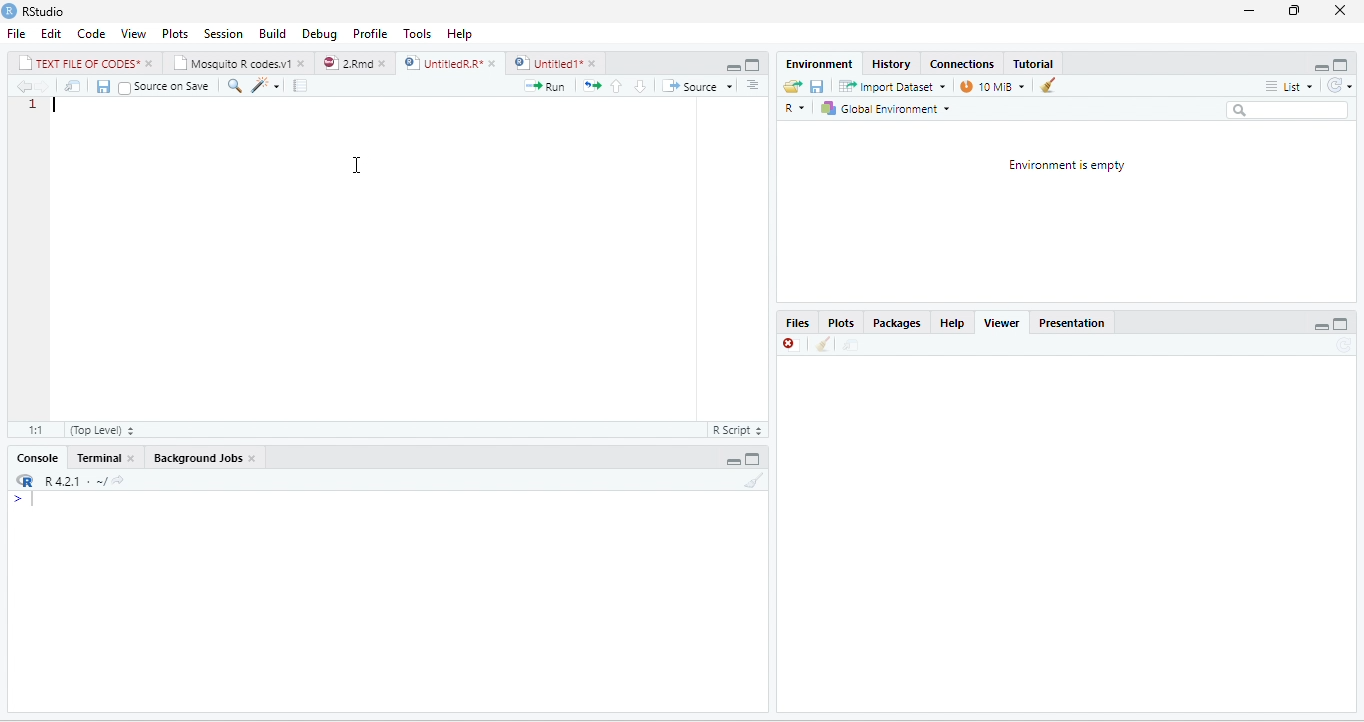  I want to click on Tutorial, so click(1032, 62).